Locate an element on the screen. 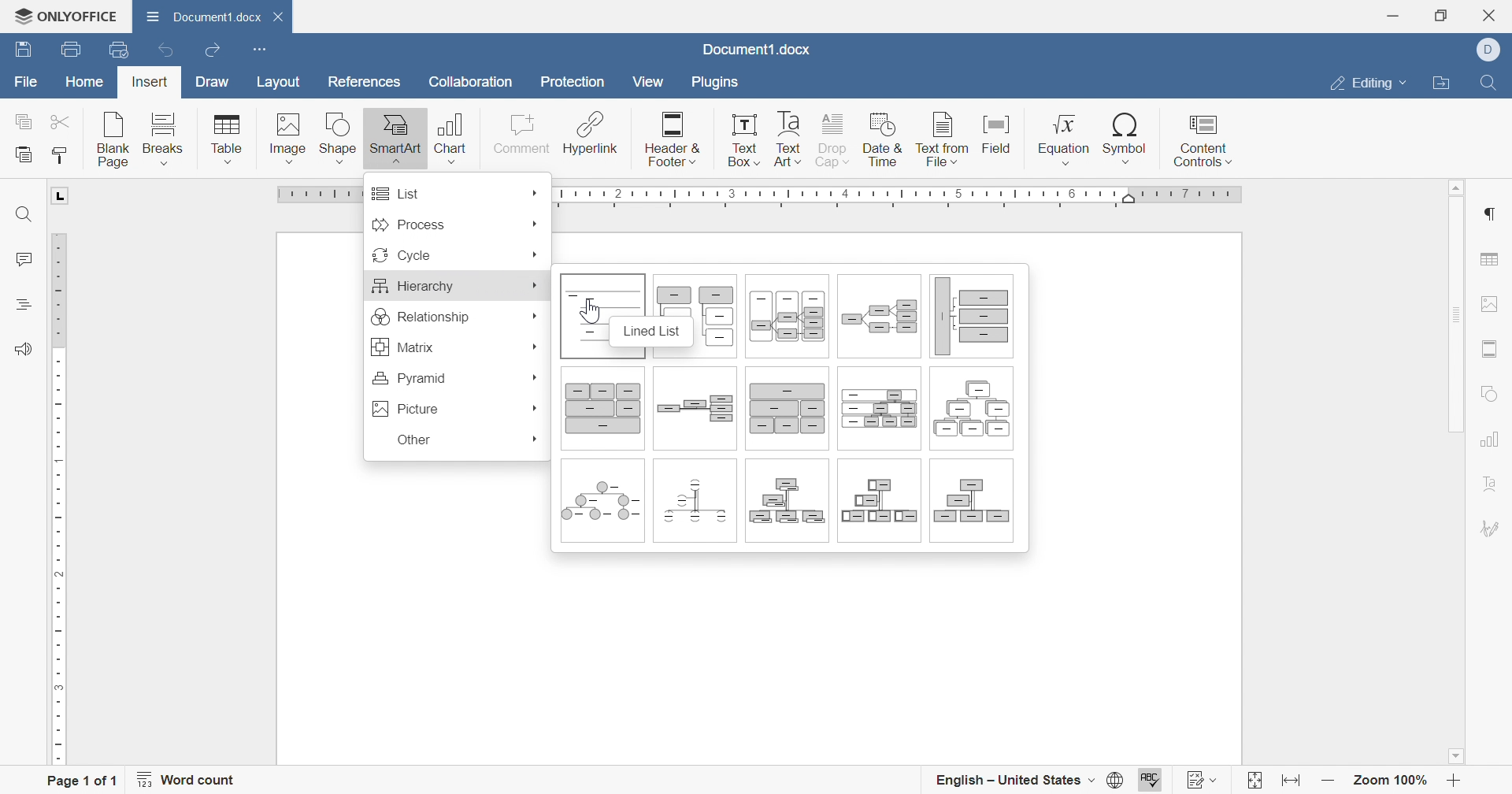  Signature settings is located at coordinates (1489, 531).